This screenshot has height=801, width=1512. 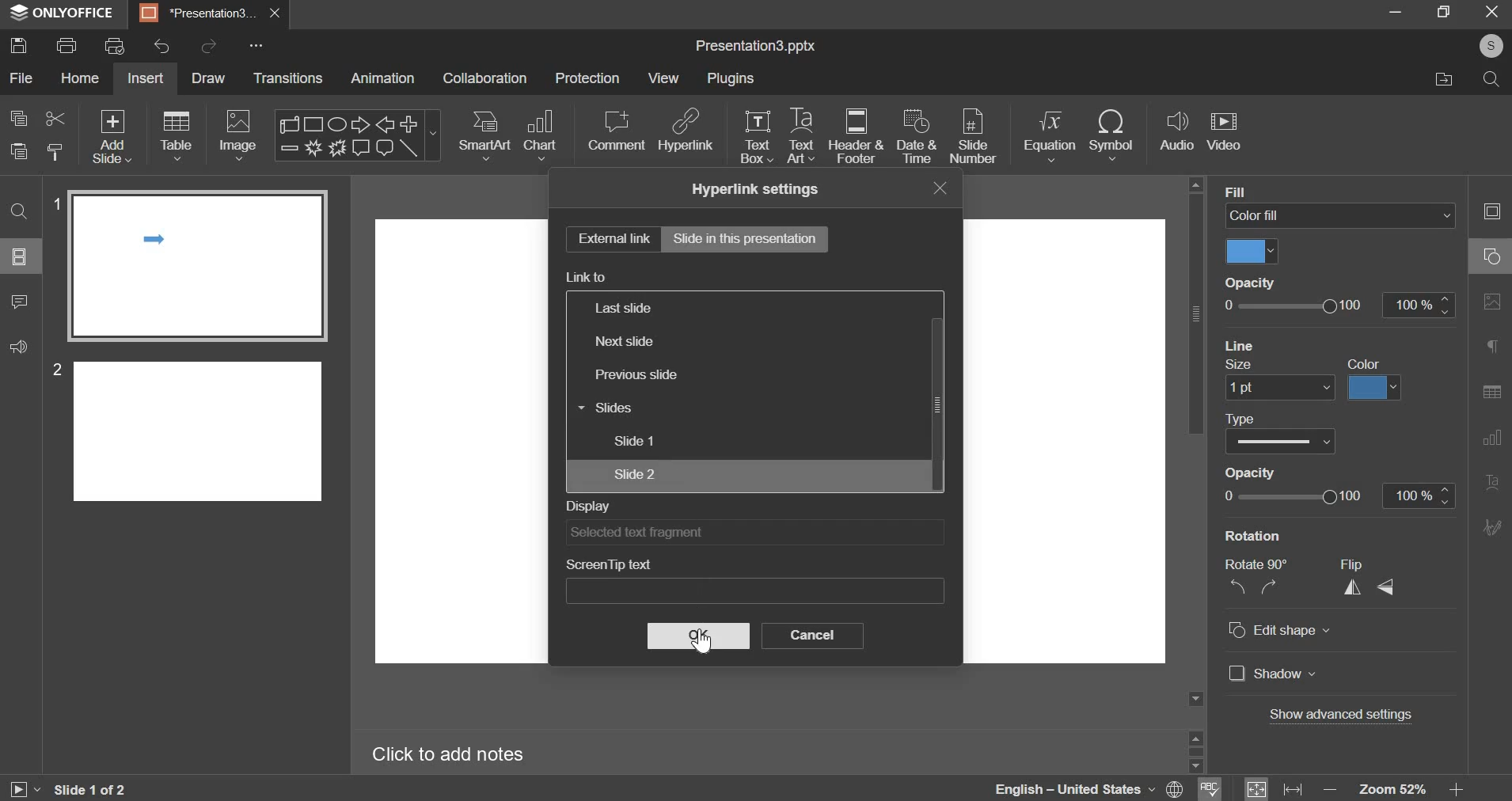 What do you see at coordinates (1248, 473) in the screenshot?
I see `opacity` at bounding box center [1248, 473].